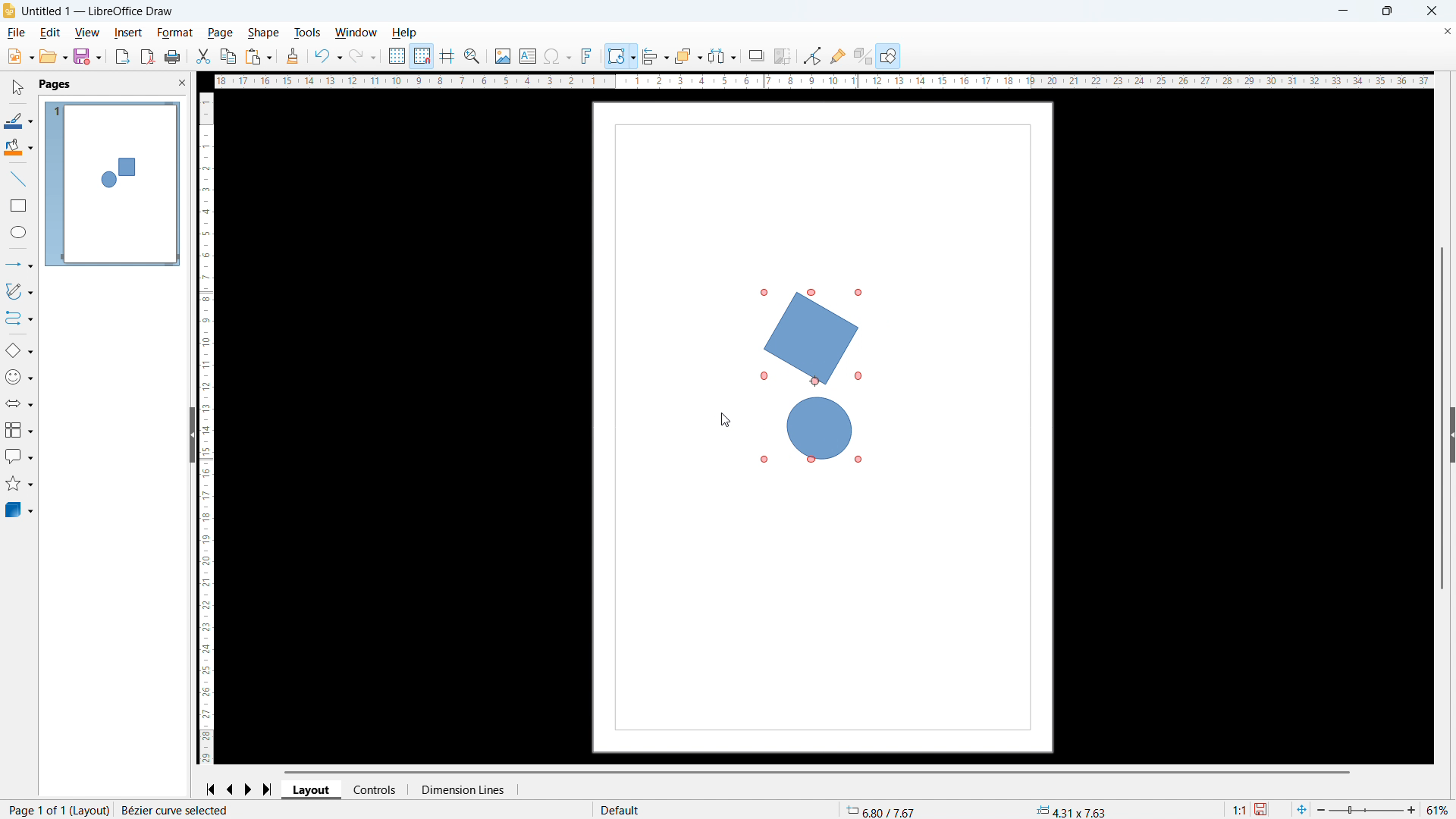 The image size is (1456, 819). Describe the element at coordinates (147, 56) in the screenshot. I see `Export as PDF ` at that location.